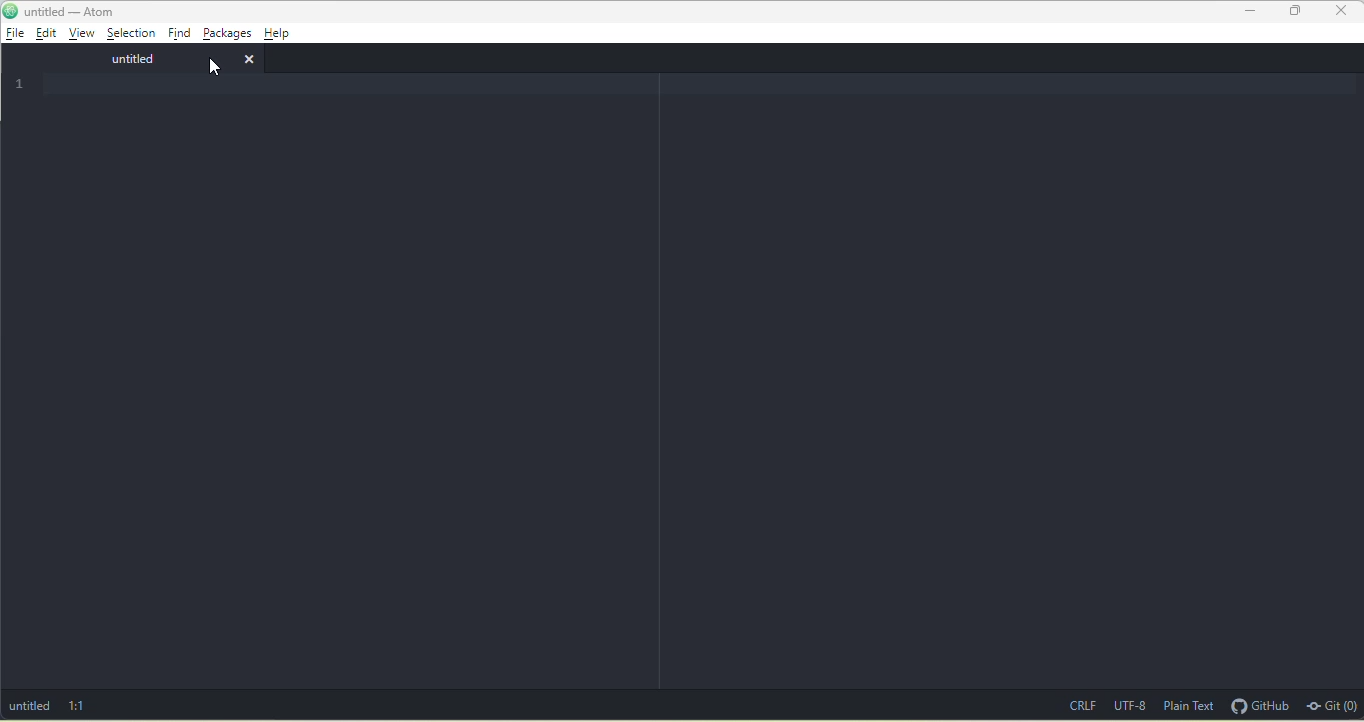  I want to click on selection, so click(131, 34).